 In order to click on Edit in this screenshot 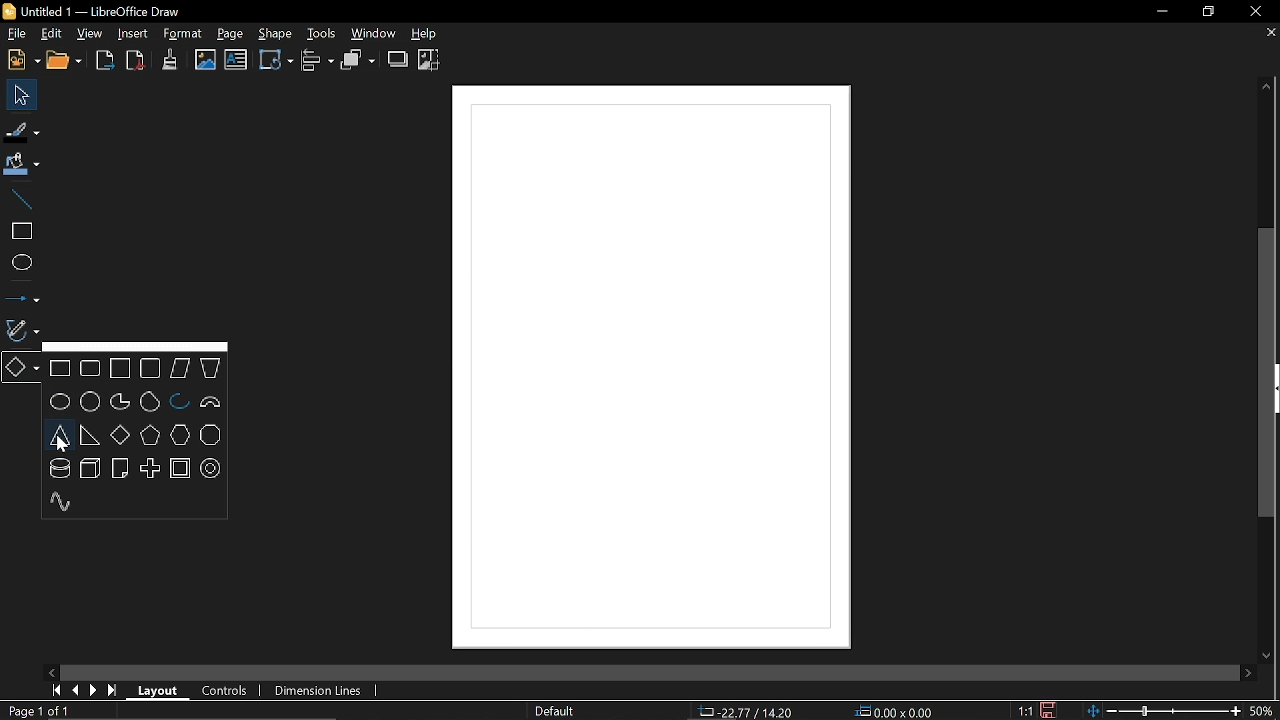, I will do `click(51, 35)`.